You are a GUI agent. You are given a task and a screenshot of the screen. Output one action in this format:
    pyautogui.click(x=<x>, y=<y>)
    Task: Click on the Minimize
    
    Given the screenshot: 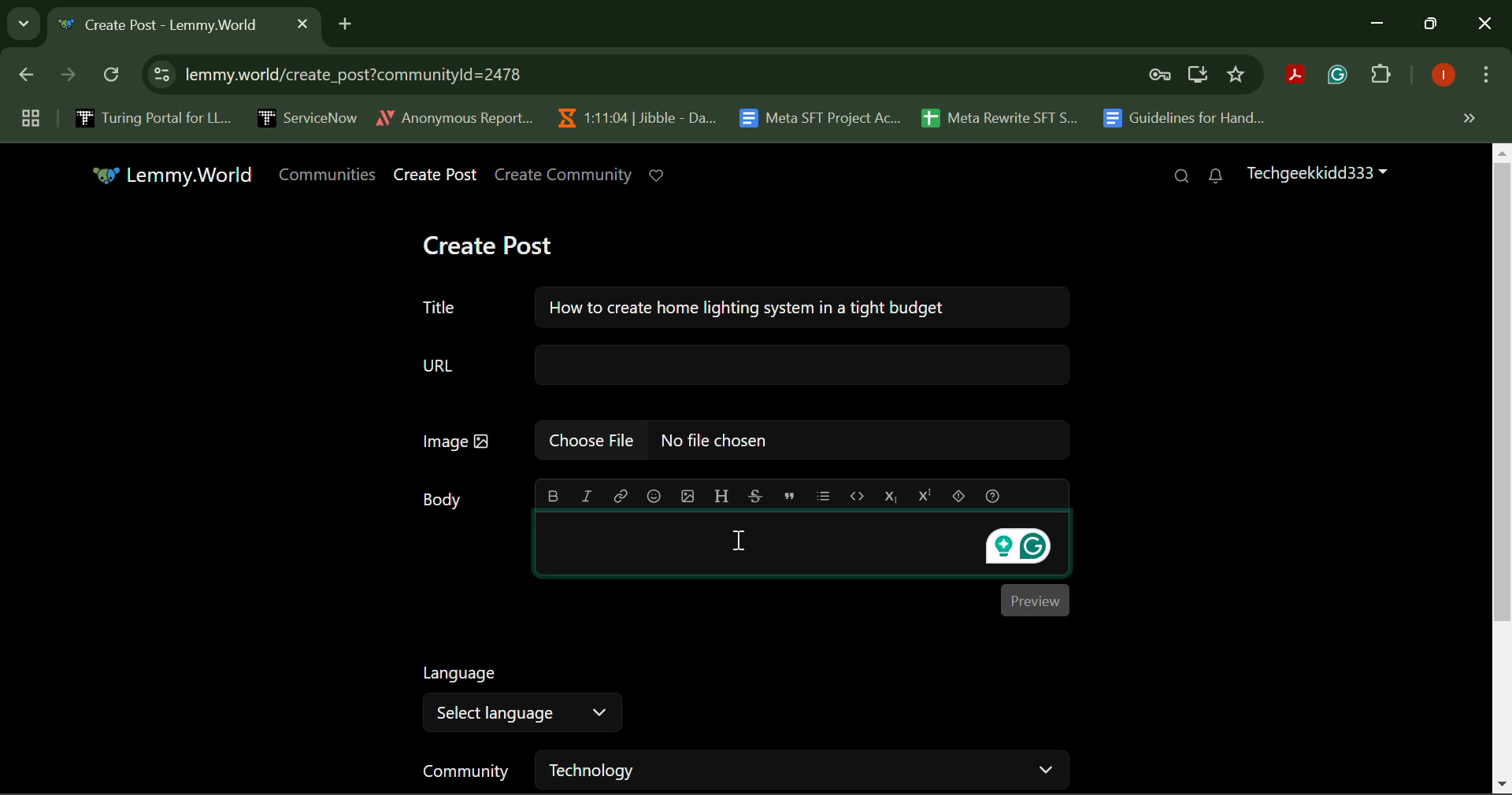 What is the action you would take?
    pyautogui.click(x=1433, y=24)
    